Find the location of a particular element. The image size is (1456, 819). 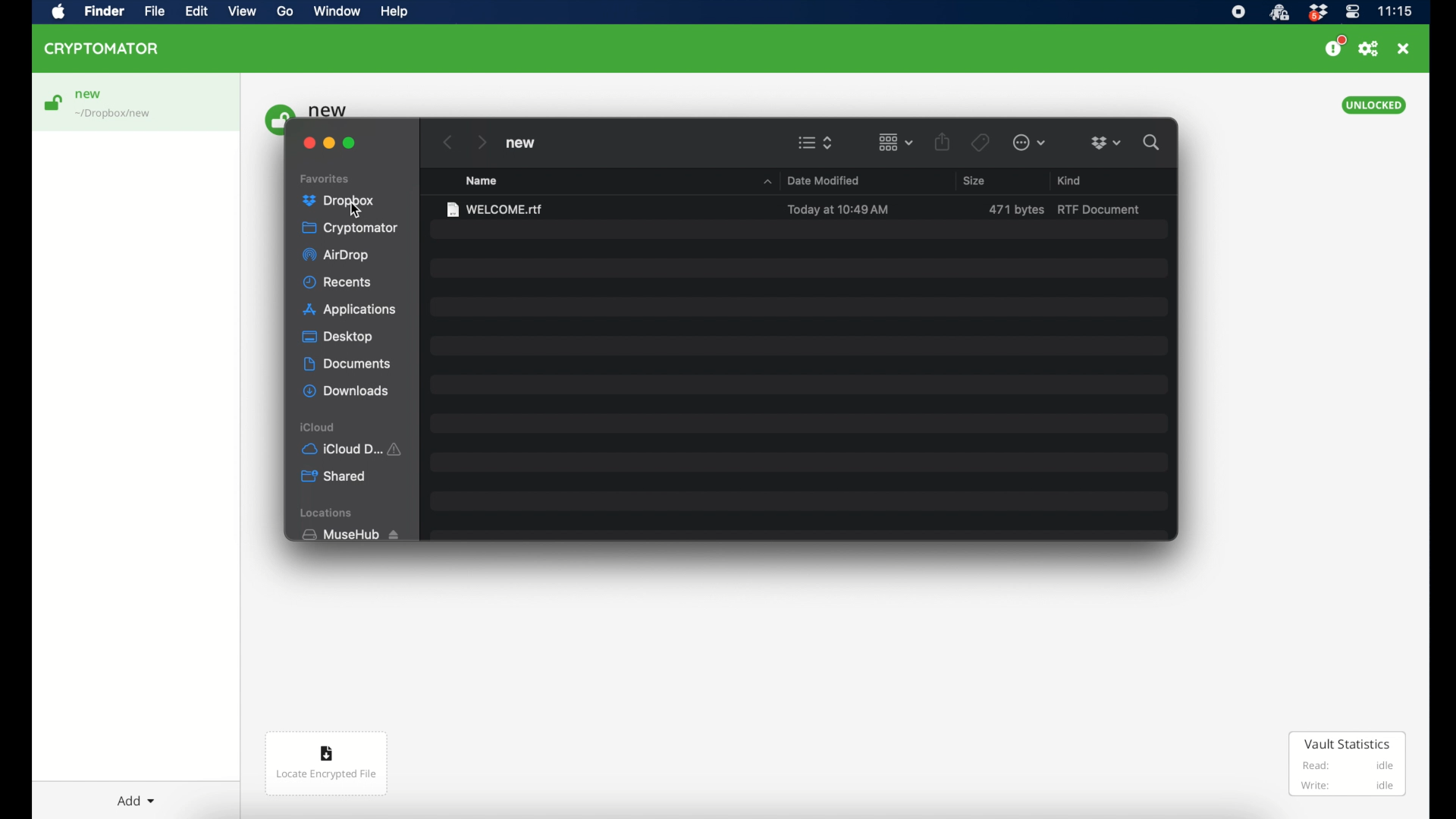

date modified is located at coordinates (824, 181).